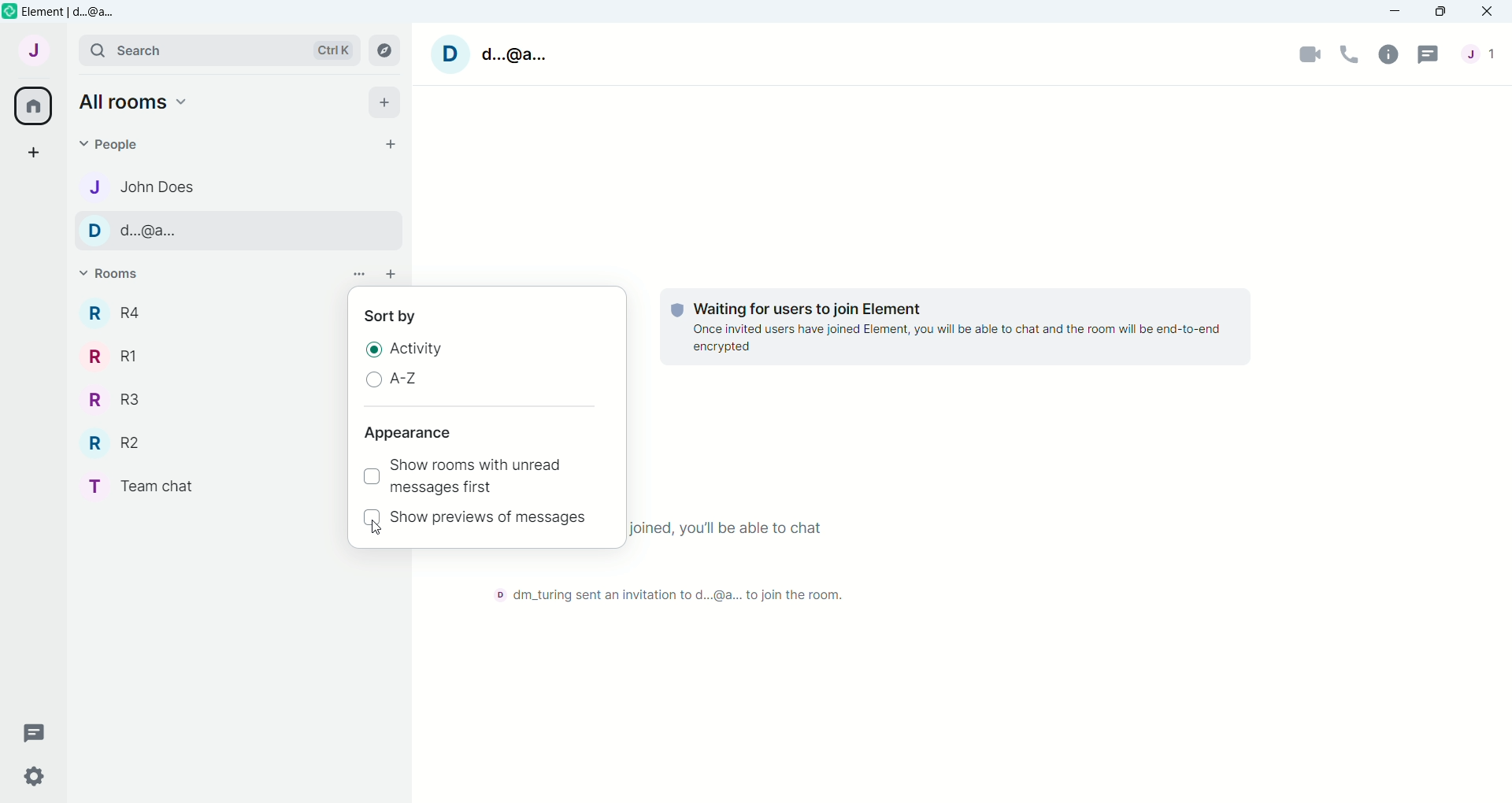 This screenshot has height=803, width=1512. What do you see at coordinates (391, 273) in the screenshot?
I see `add room` at bounding box center [391, 273].